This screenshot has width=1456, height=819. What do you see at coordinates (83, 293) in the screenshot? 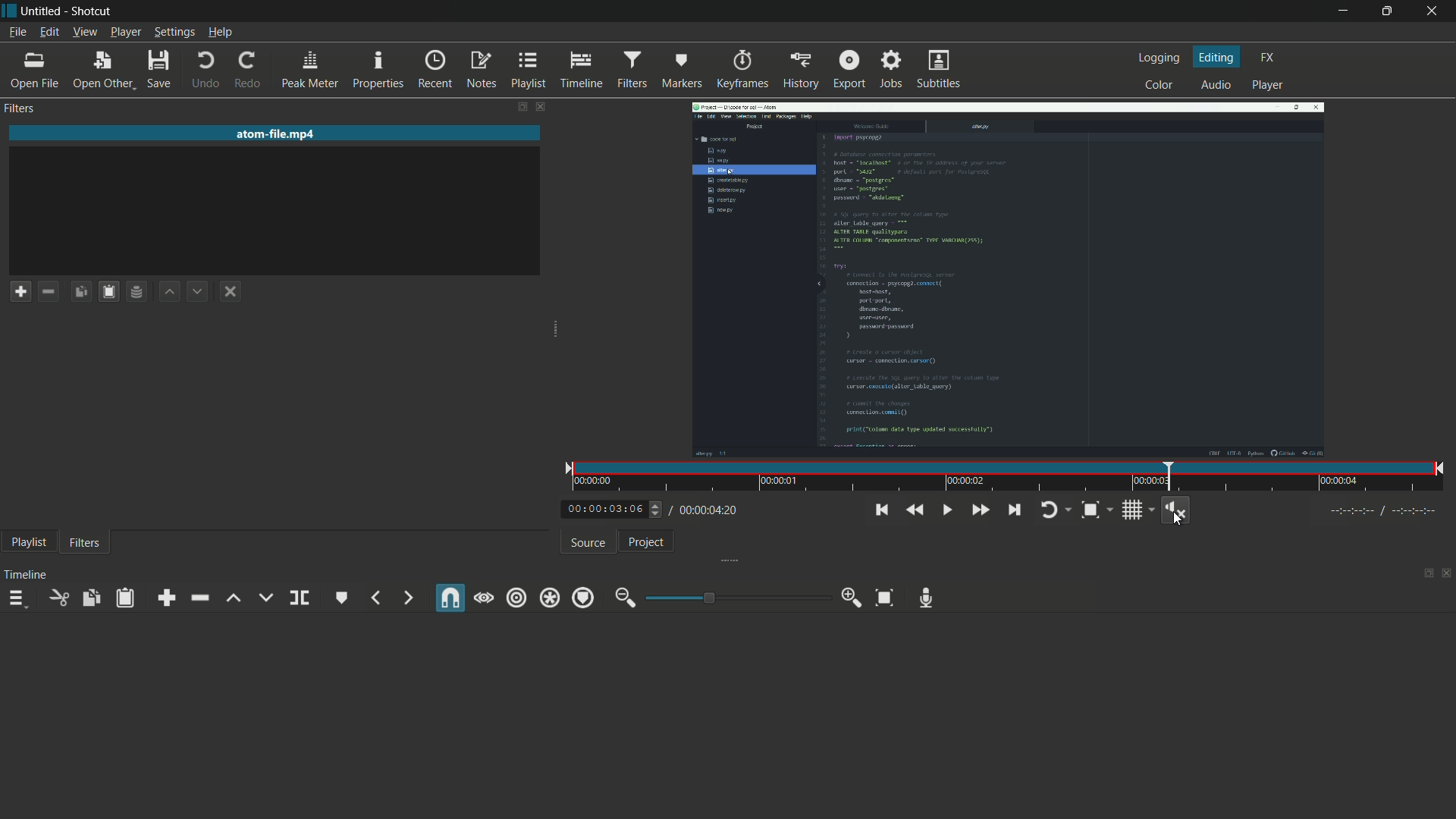
I see `copy checked filters` at bounding box center [83, 293].